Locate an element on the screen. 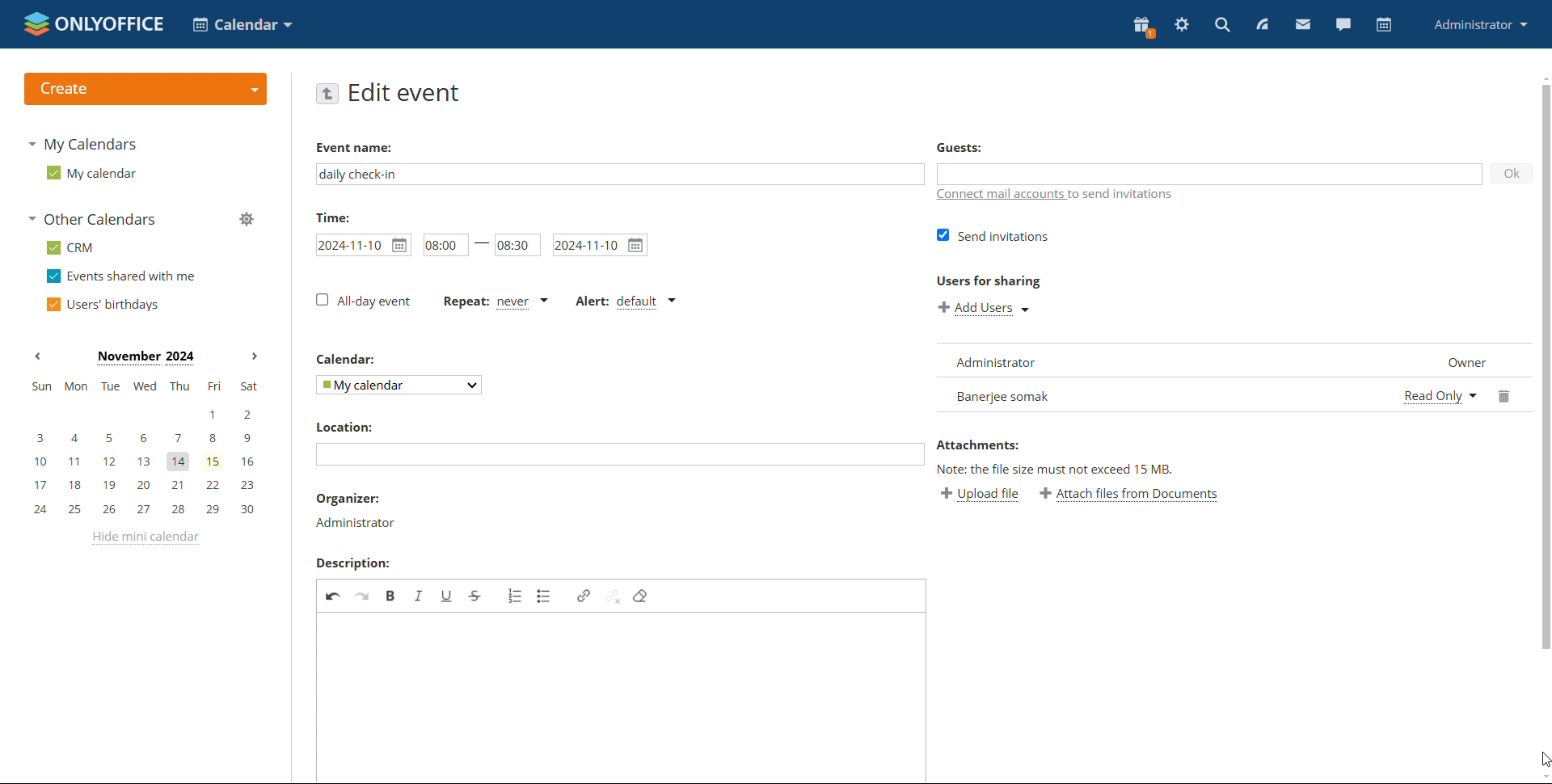 The height and width of the screenshot is (784, 1552). attachment is located at coordinates (1034, 442).